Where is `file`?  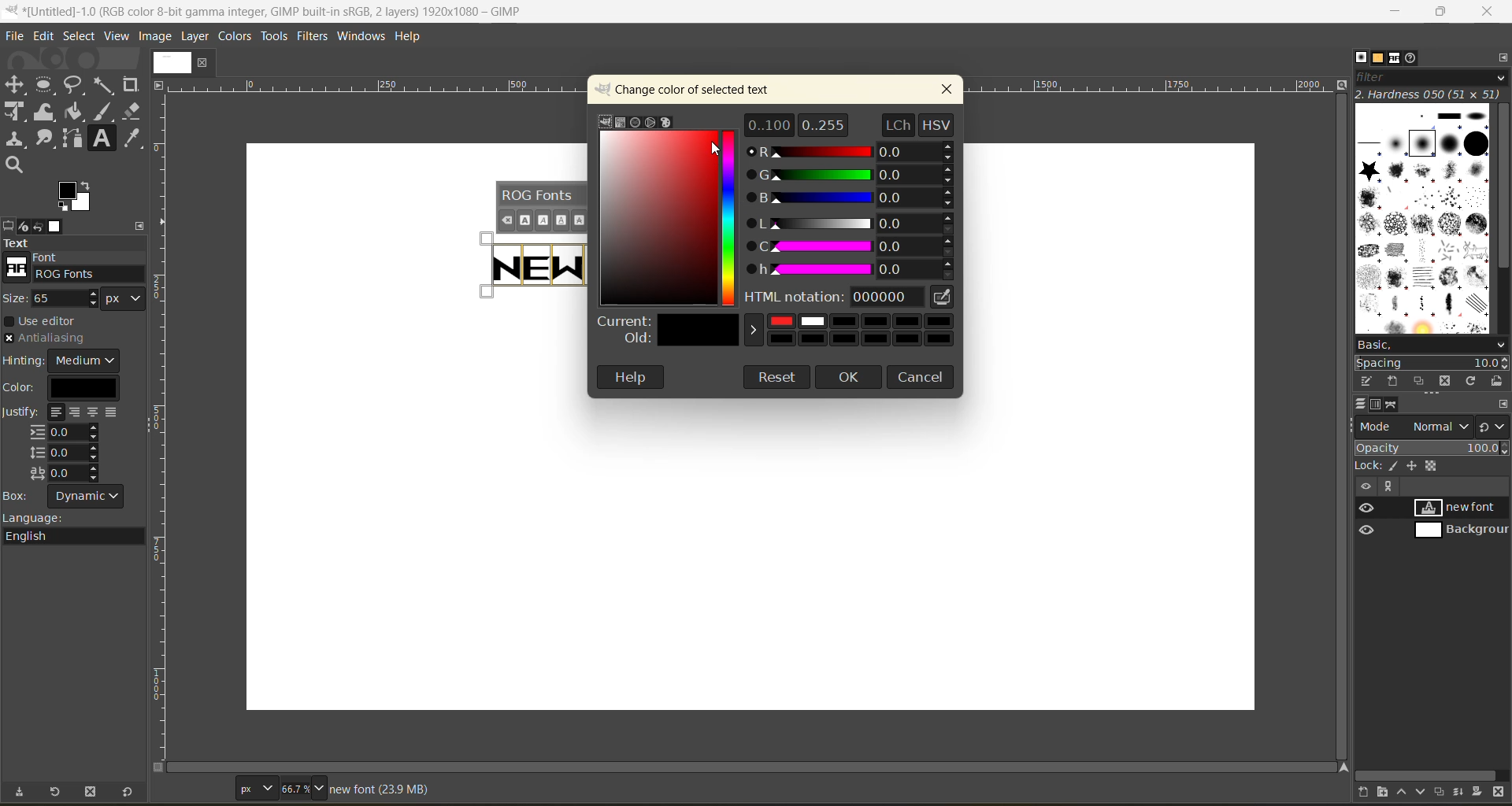 file is located at coordinates (17, 33).